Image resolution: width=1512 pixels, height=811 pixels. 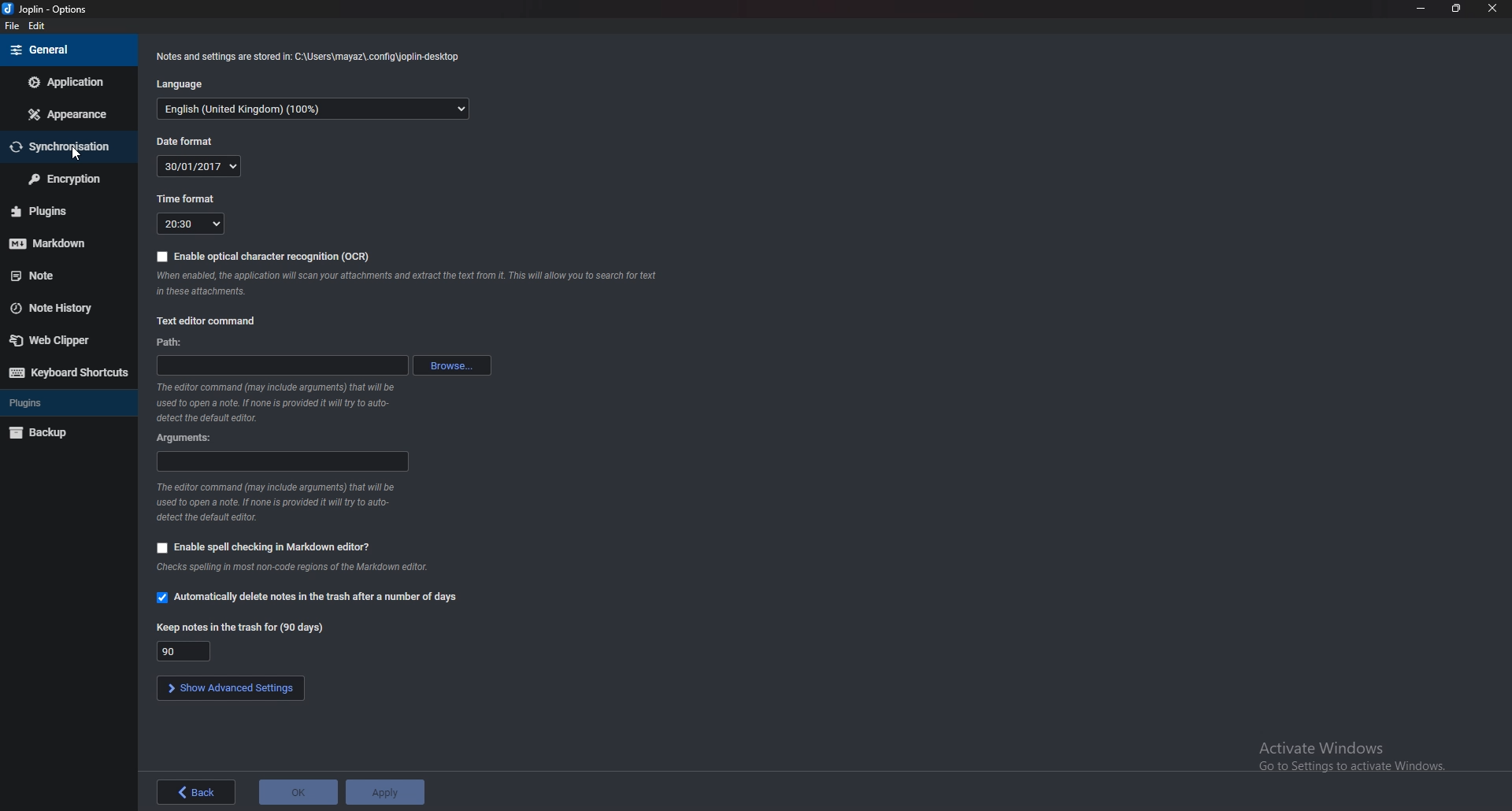 I want to click on automatically delete notes, so click(x=309, y=599).